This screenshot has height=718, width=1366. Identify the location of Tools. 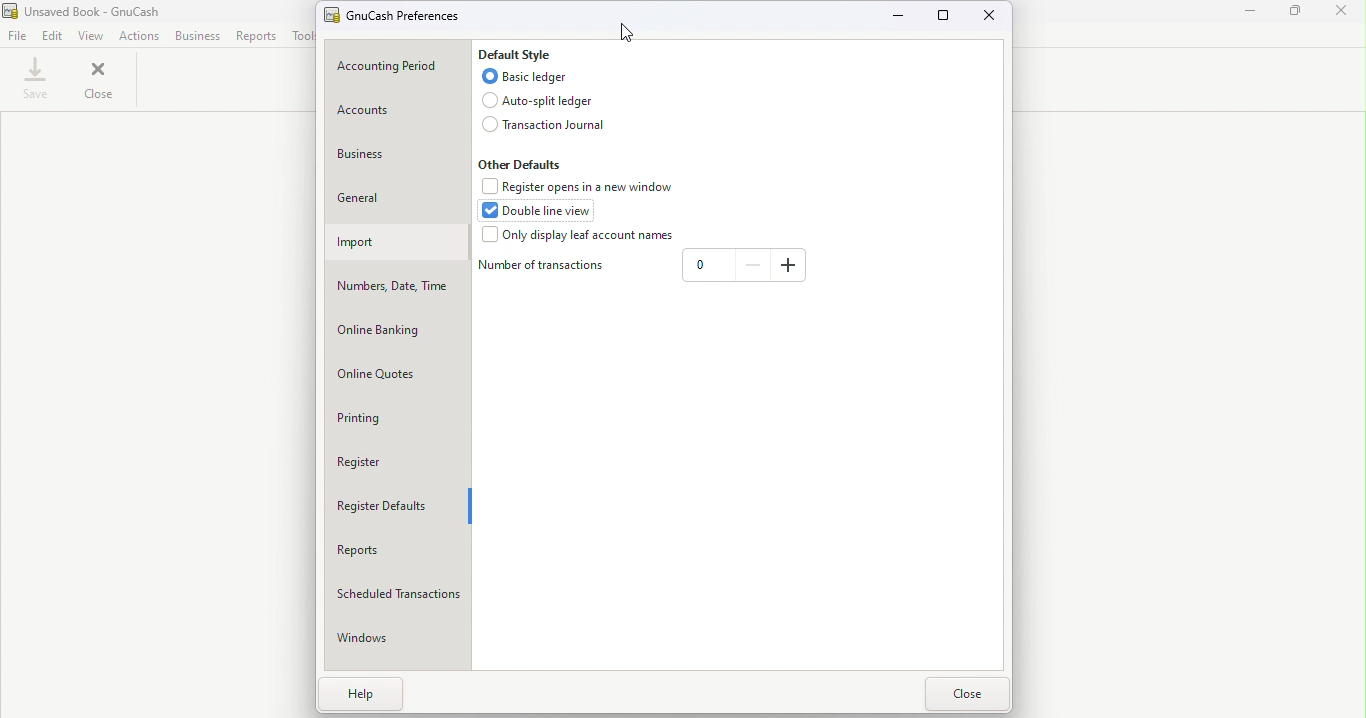
(306, 36).